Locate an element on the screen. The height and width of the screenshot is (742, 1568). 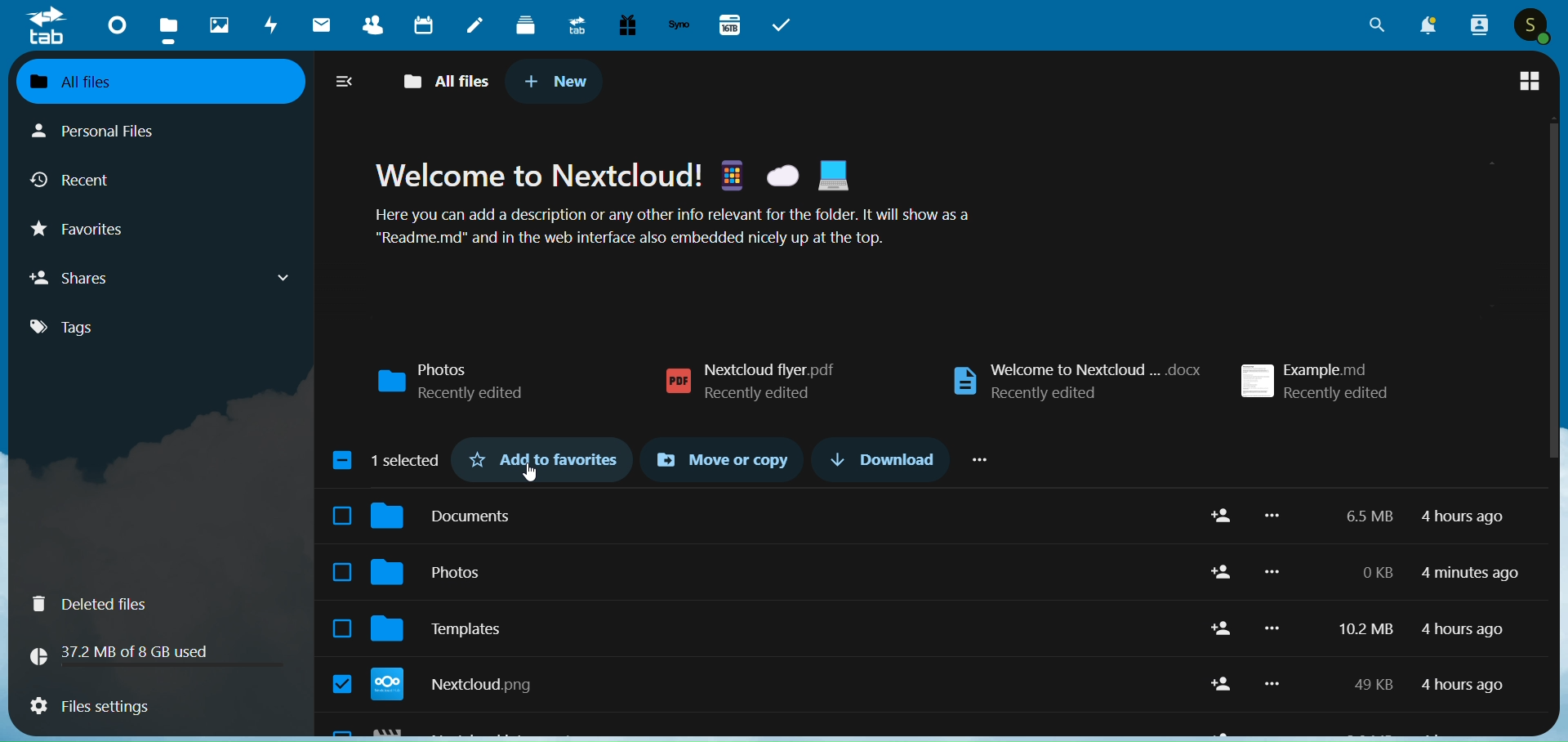
49KB 4 hours ago is located at coordinates (1428, 685).